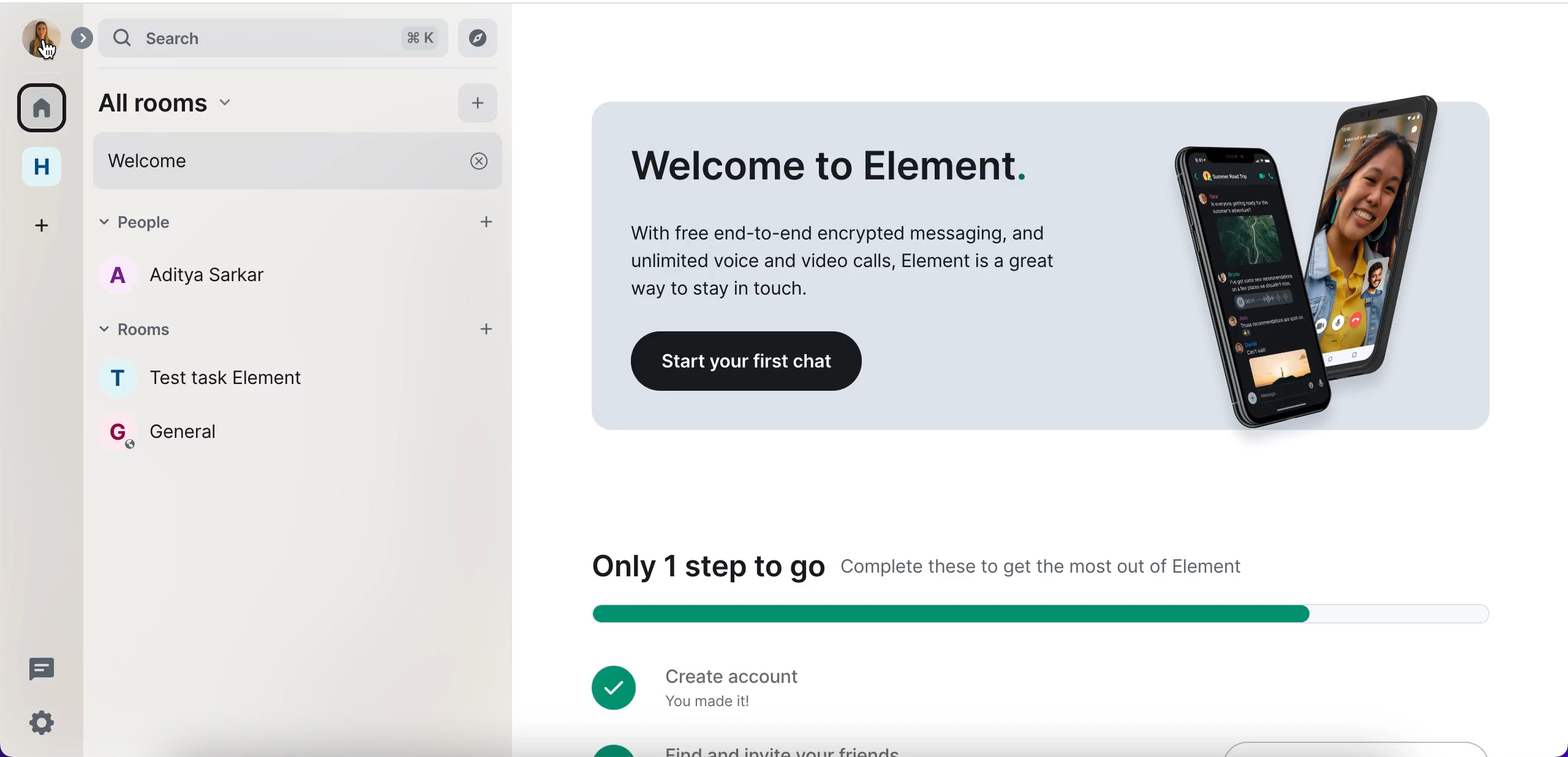  I want to click on general, so click(190, 439).